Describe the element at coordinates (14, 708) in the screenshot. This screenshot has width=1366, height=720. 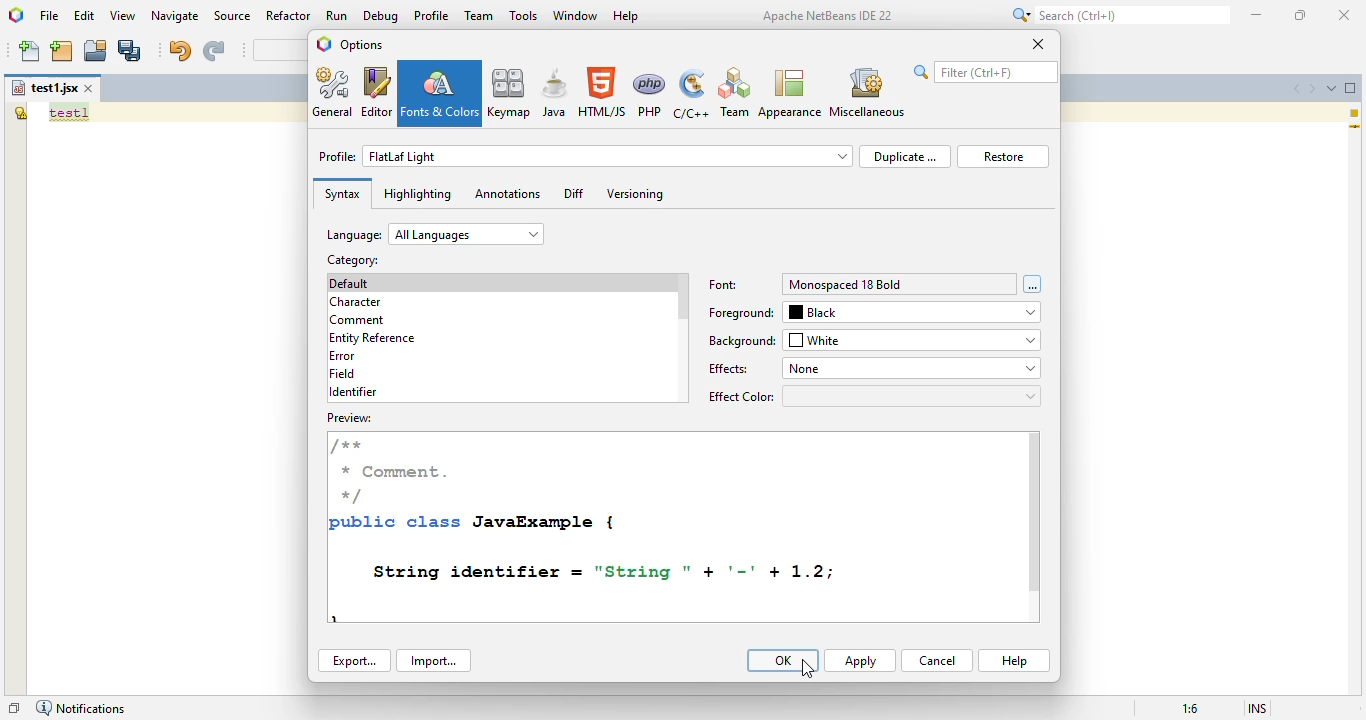
I see `restore window group` at that location.